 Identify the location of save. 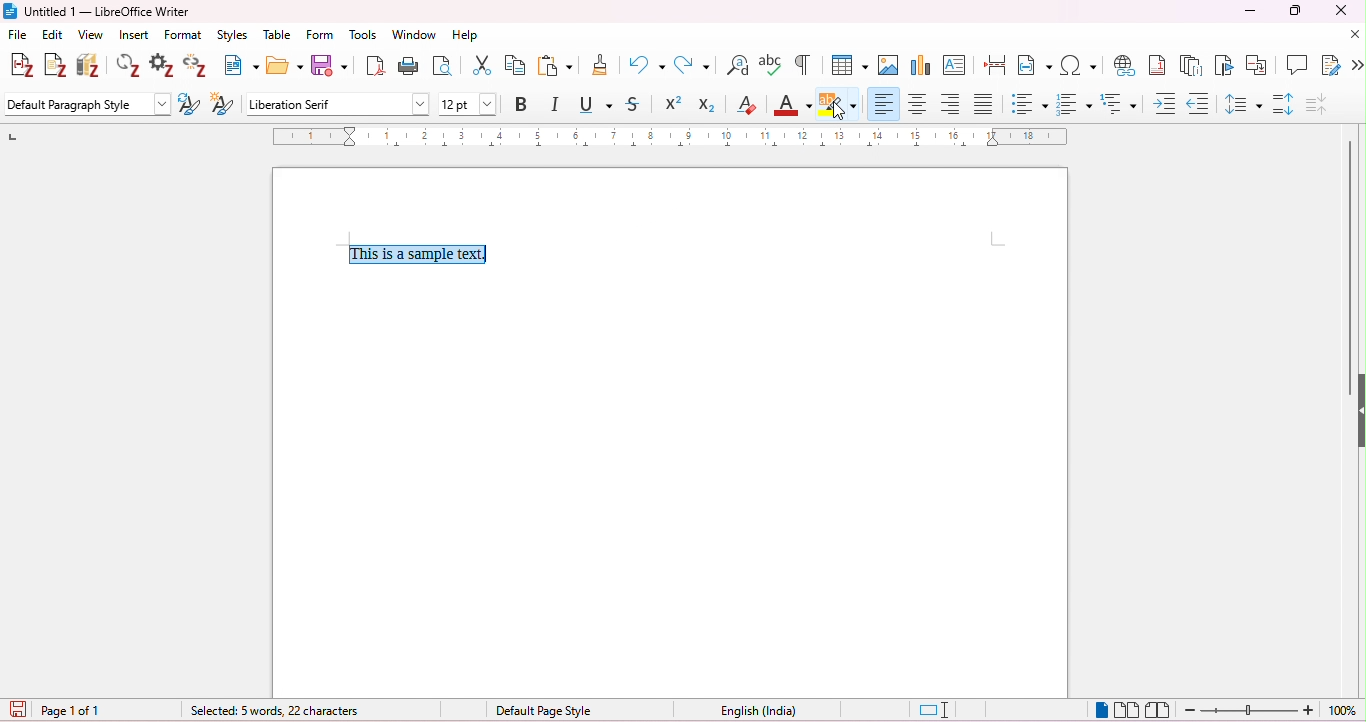
(18, 710).